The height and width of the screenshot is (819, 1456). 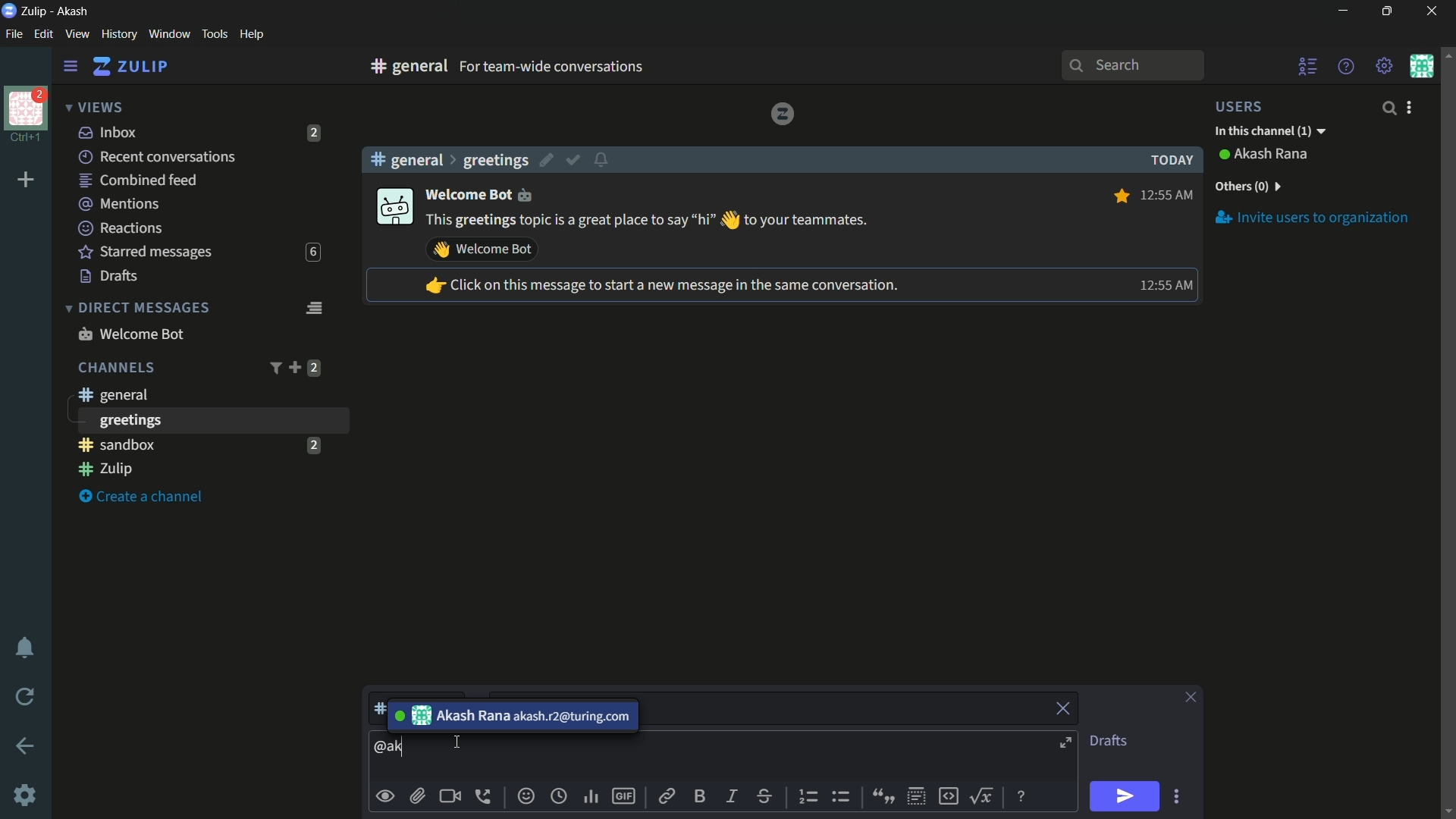 What do you see at coordinates (130, 67) in the screenshot?
I see `zulip` at bounding box center [130, 67].